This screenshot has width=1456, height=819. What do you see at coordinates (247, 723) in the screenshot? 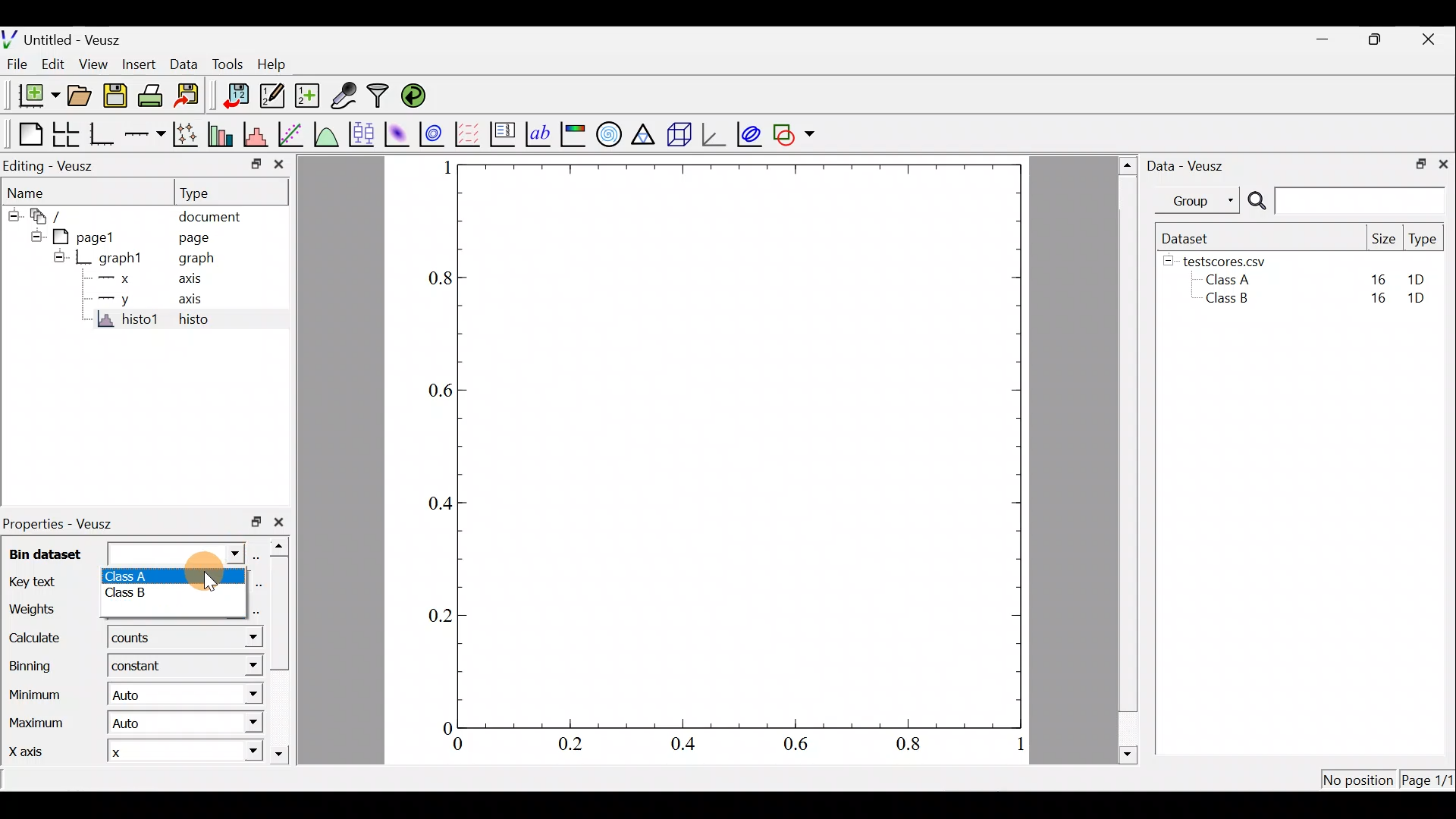
I see `Maximum dropdown` at bounding box center [247, 723].